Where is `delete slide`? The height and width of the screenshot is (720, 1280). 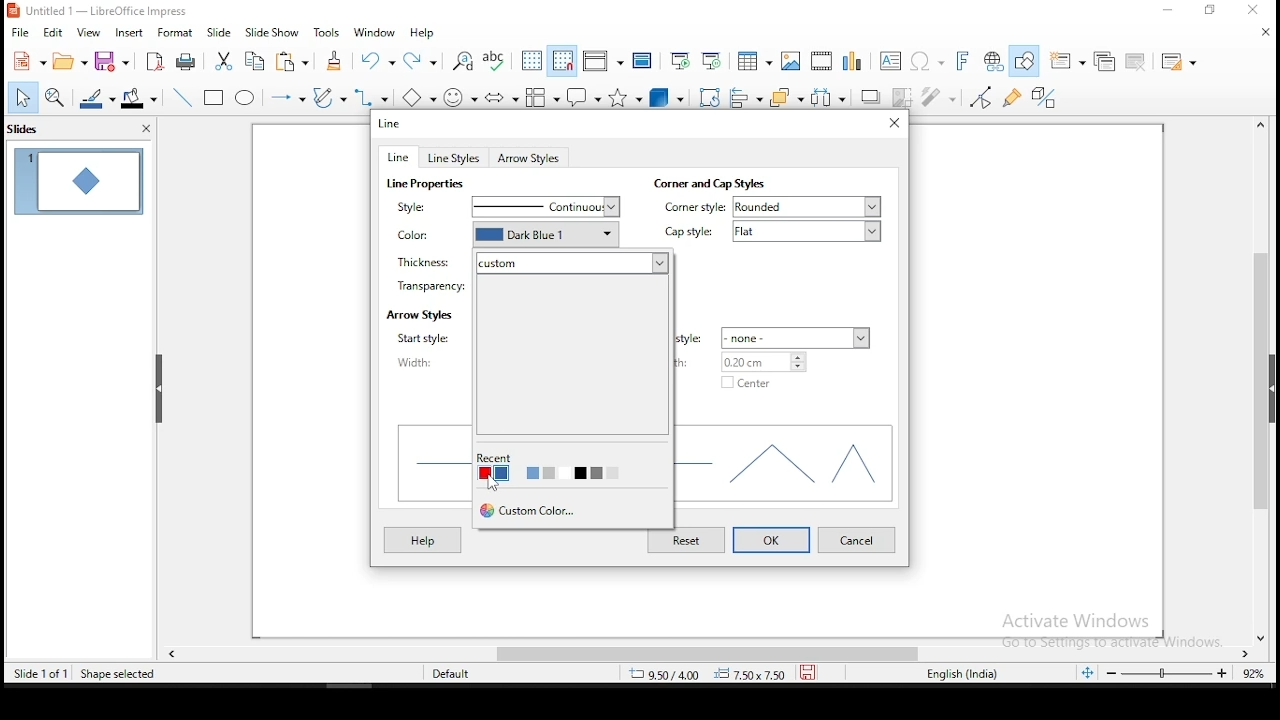 delete slide is located at coordinates (1137, 63).